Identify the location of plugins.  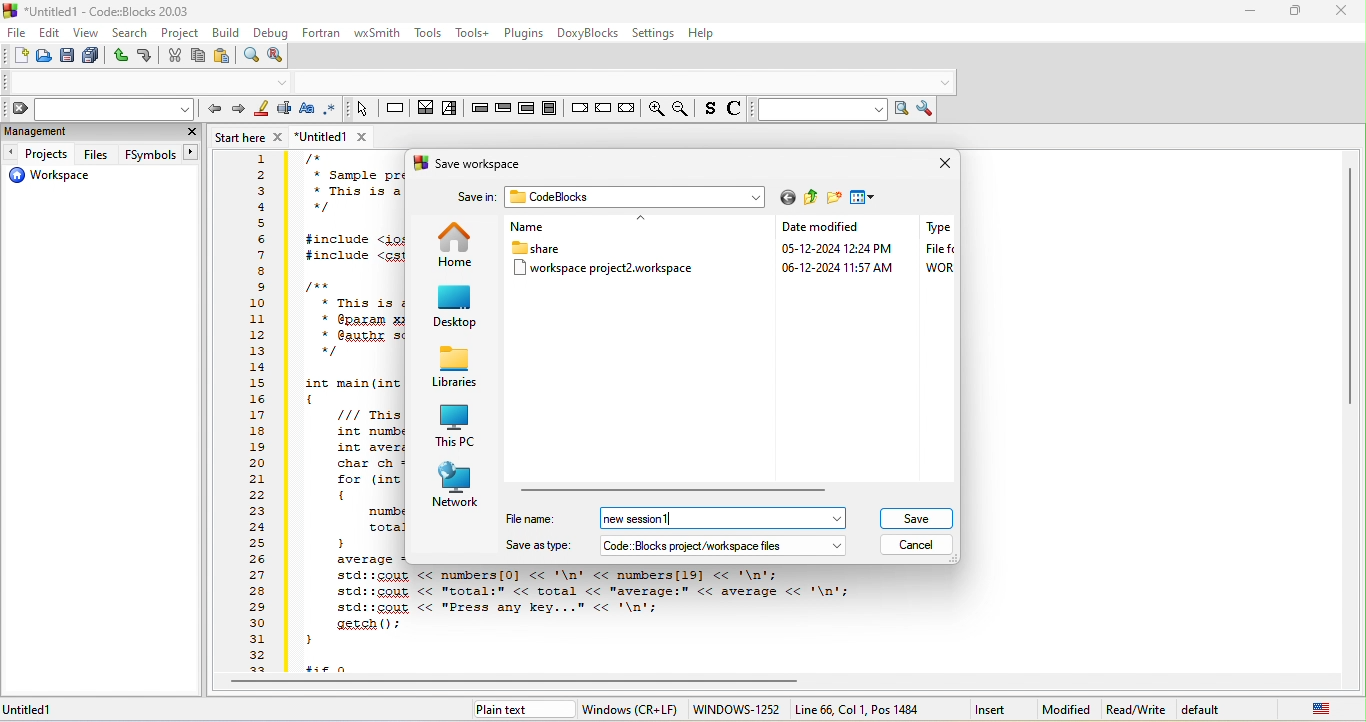
(525, 33).